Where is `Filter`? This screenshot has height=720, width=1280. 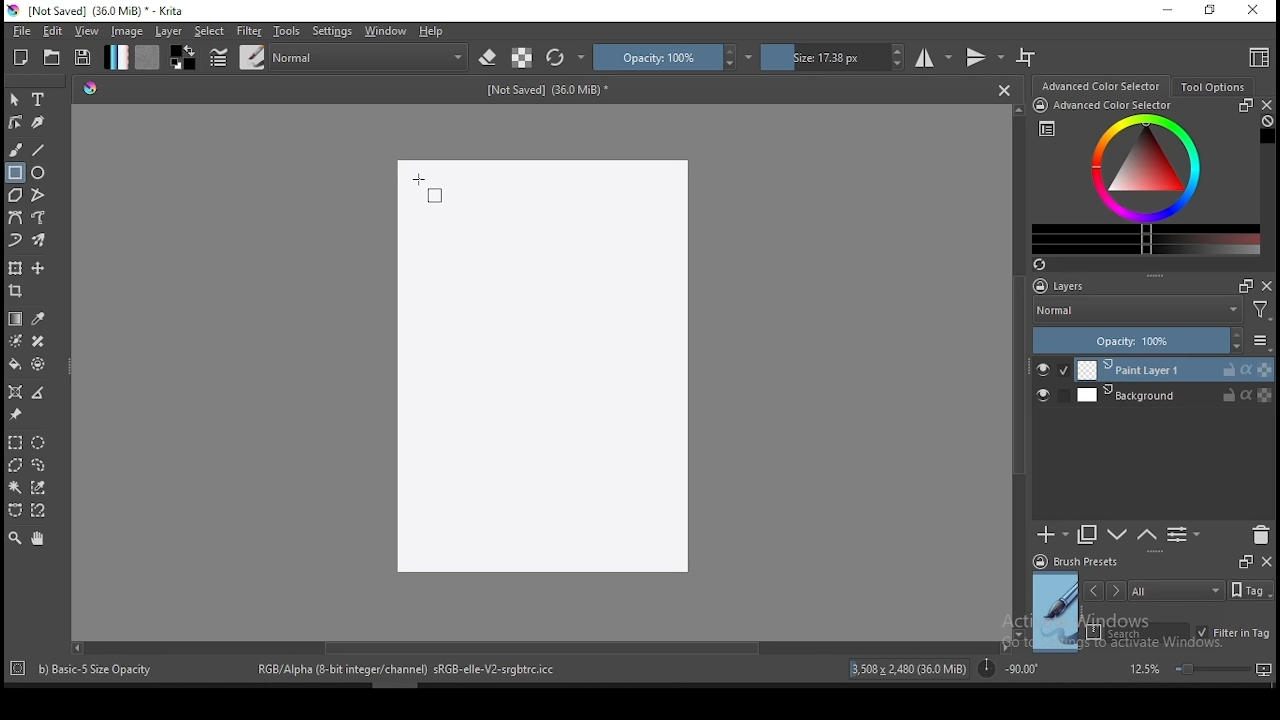
Filter is located at coordinates (1261, 313).